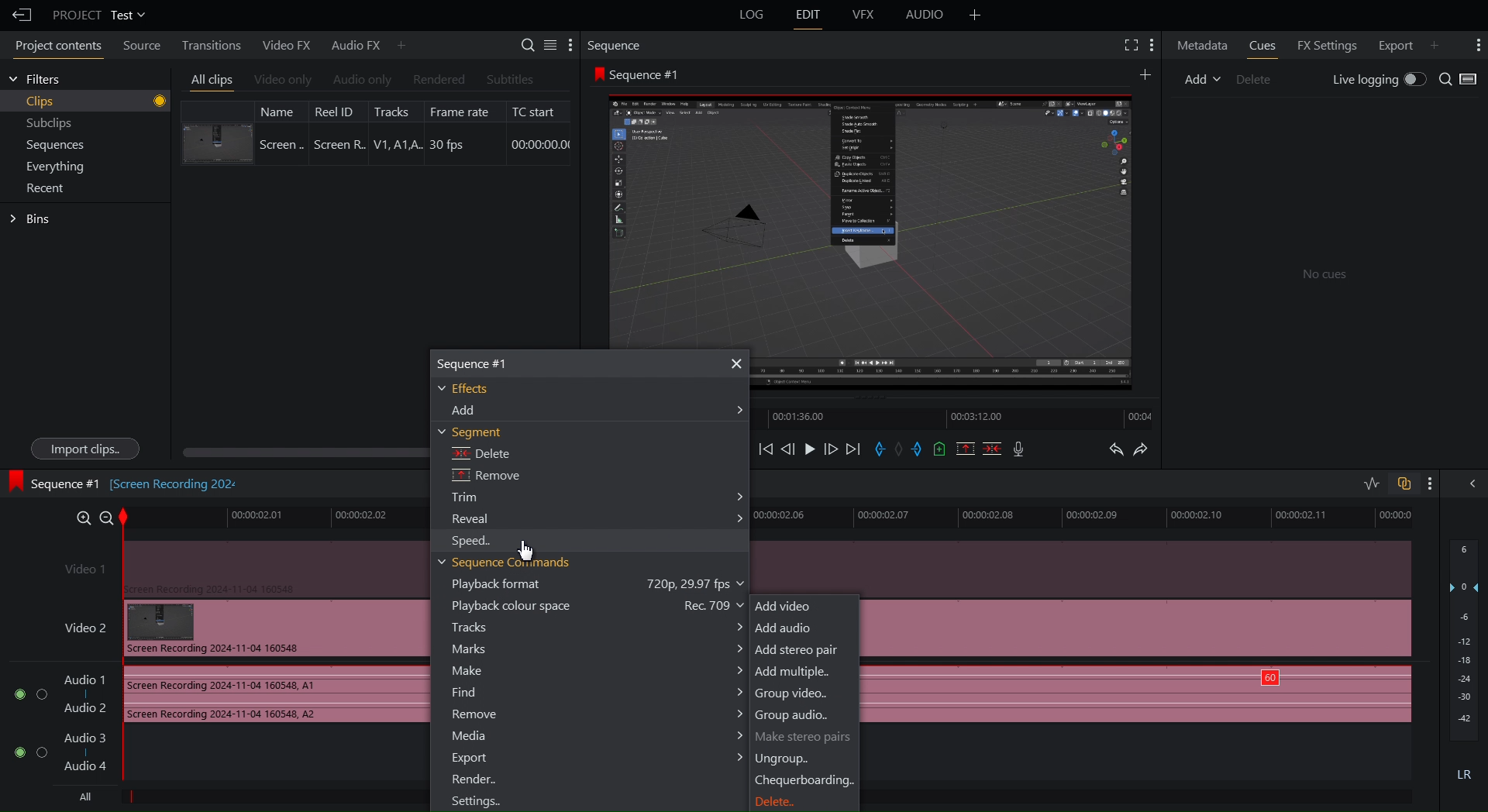 This screenshot has height=812, width=1488. Describe the element at coordinates (138, 47) in the screenshot. I see `Source` at that location.